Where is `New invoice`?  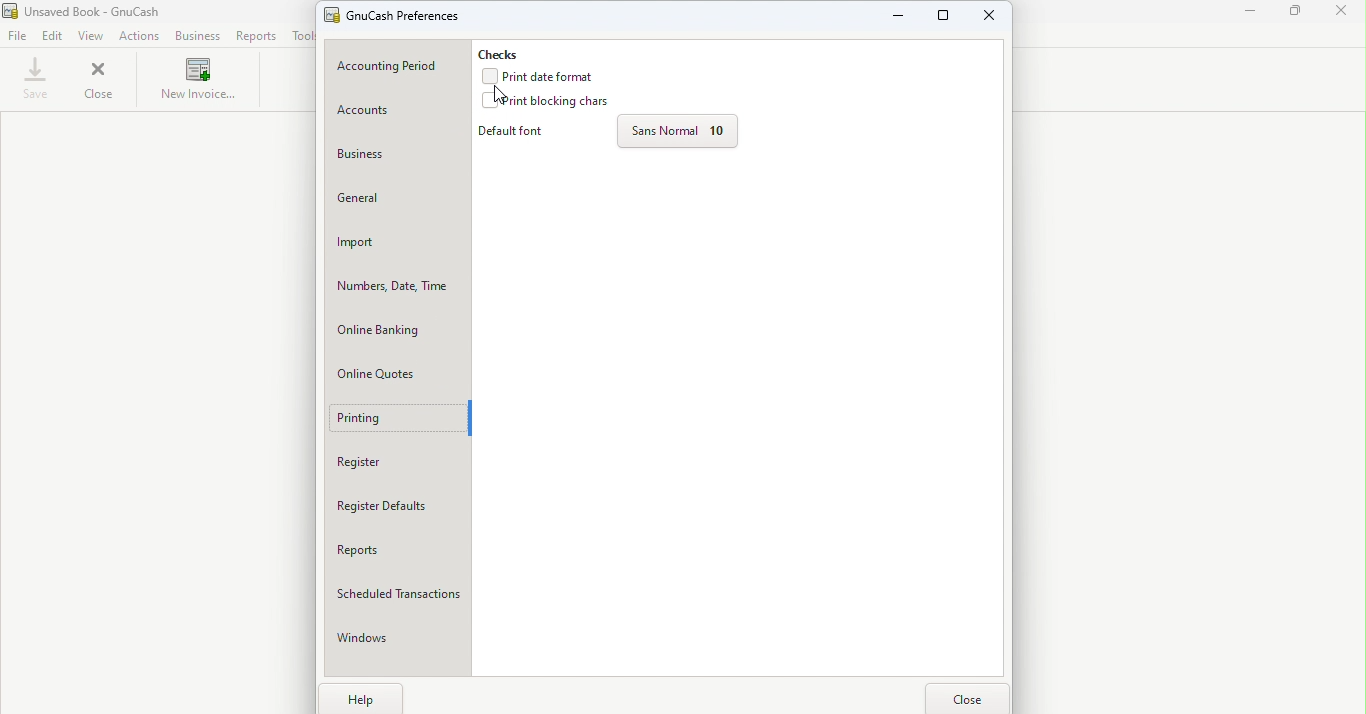
New invoice is located at coordinates (196, 82).